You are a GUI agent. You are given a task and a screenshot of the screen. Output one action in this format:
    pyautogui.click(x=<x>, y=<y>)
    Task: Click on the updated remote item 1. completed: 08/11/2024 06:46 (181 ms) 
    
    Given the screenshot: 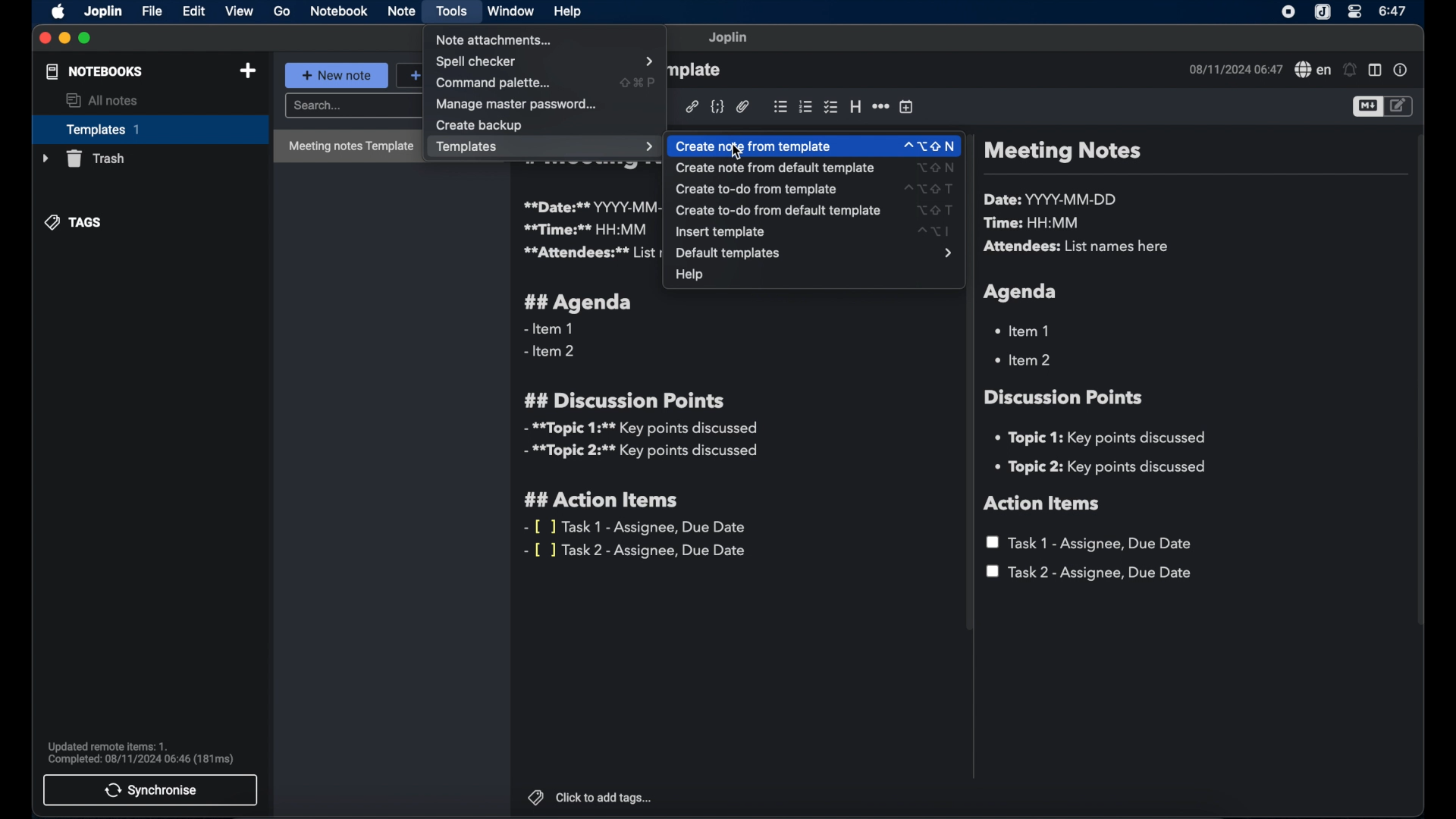 What is the action you would take?
    pyautogui.click(x=143, y=752)
    